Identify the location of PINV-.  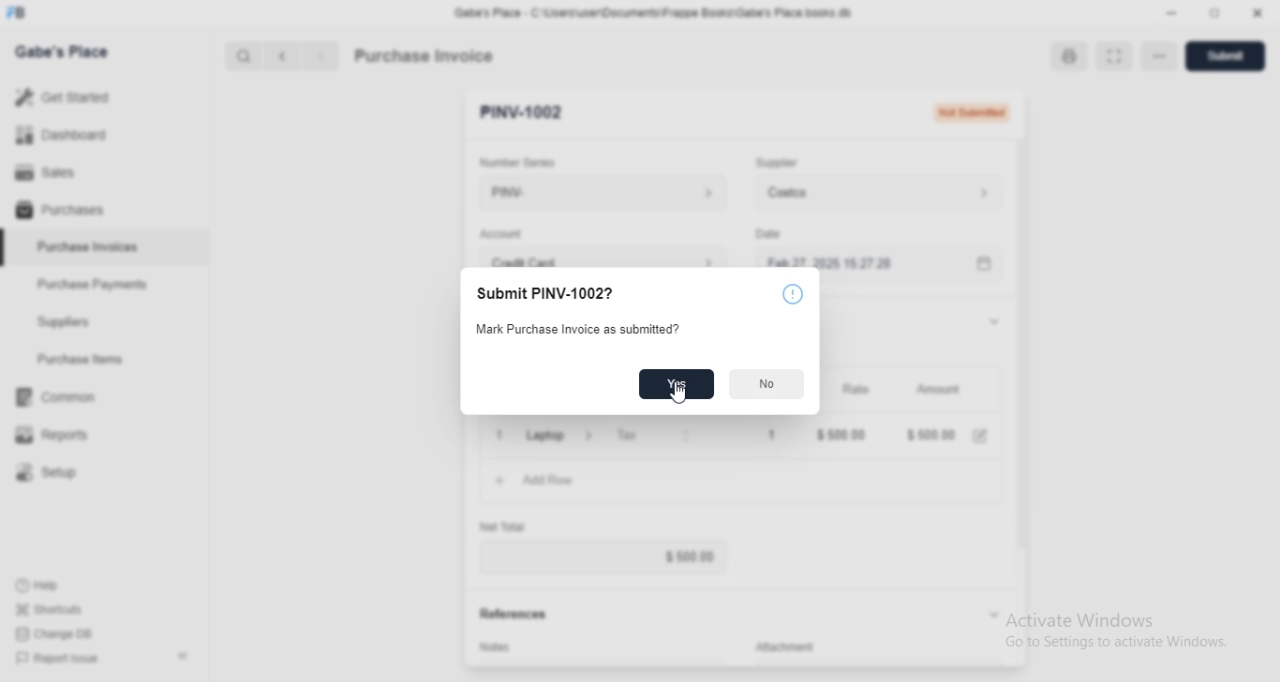
(603, 193).